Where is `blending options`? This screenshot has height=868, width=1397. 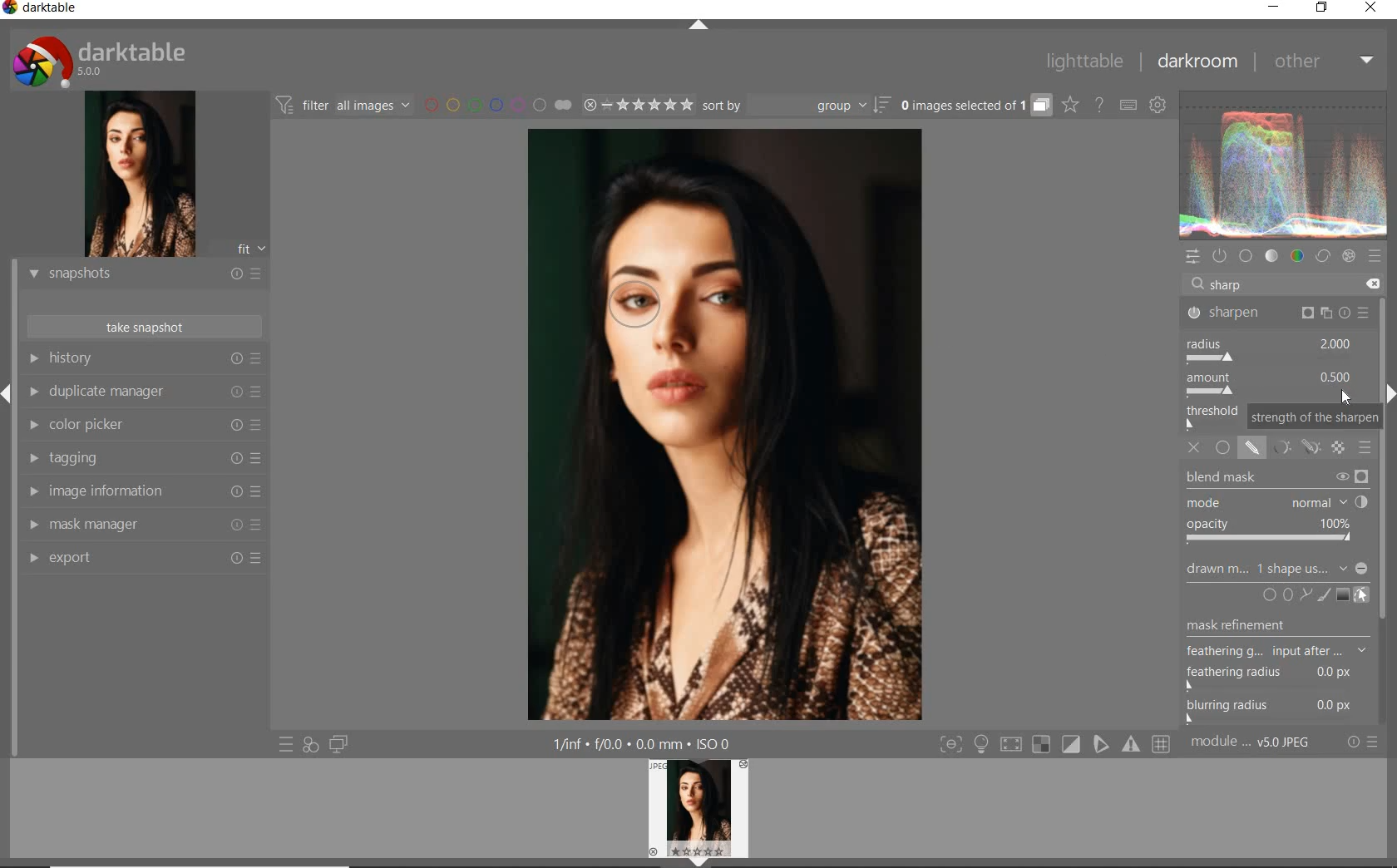 blending options is located at coordinates (1366, 449).